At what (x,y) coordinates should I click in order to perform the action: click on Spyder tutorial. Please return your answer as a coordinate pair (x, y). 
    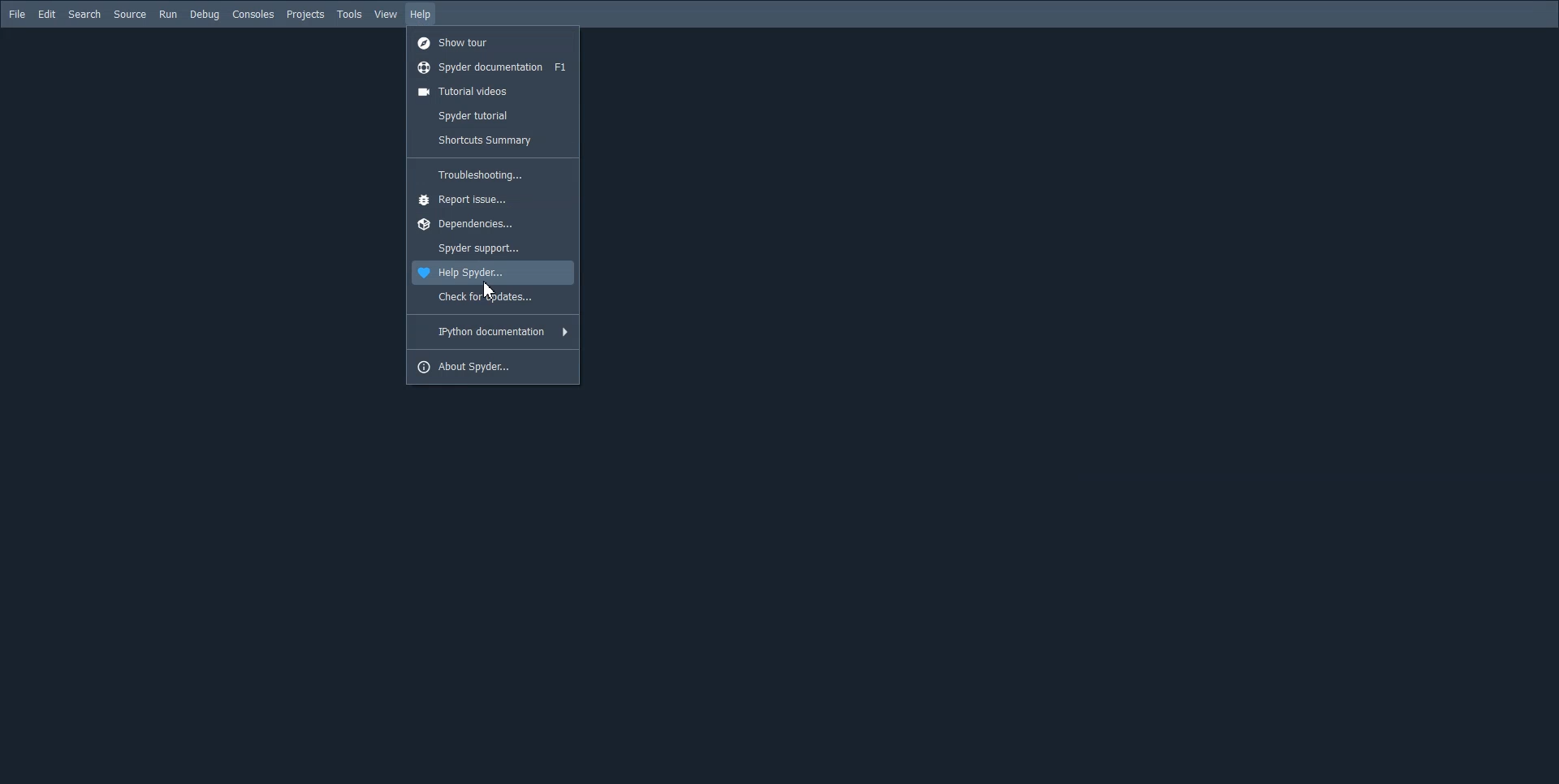
    Looking at the image, I should click on (492, 114).